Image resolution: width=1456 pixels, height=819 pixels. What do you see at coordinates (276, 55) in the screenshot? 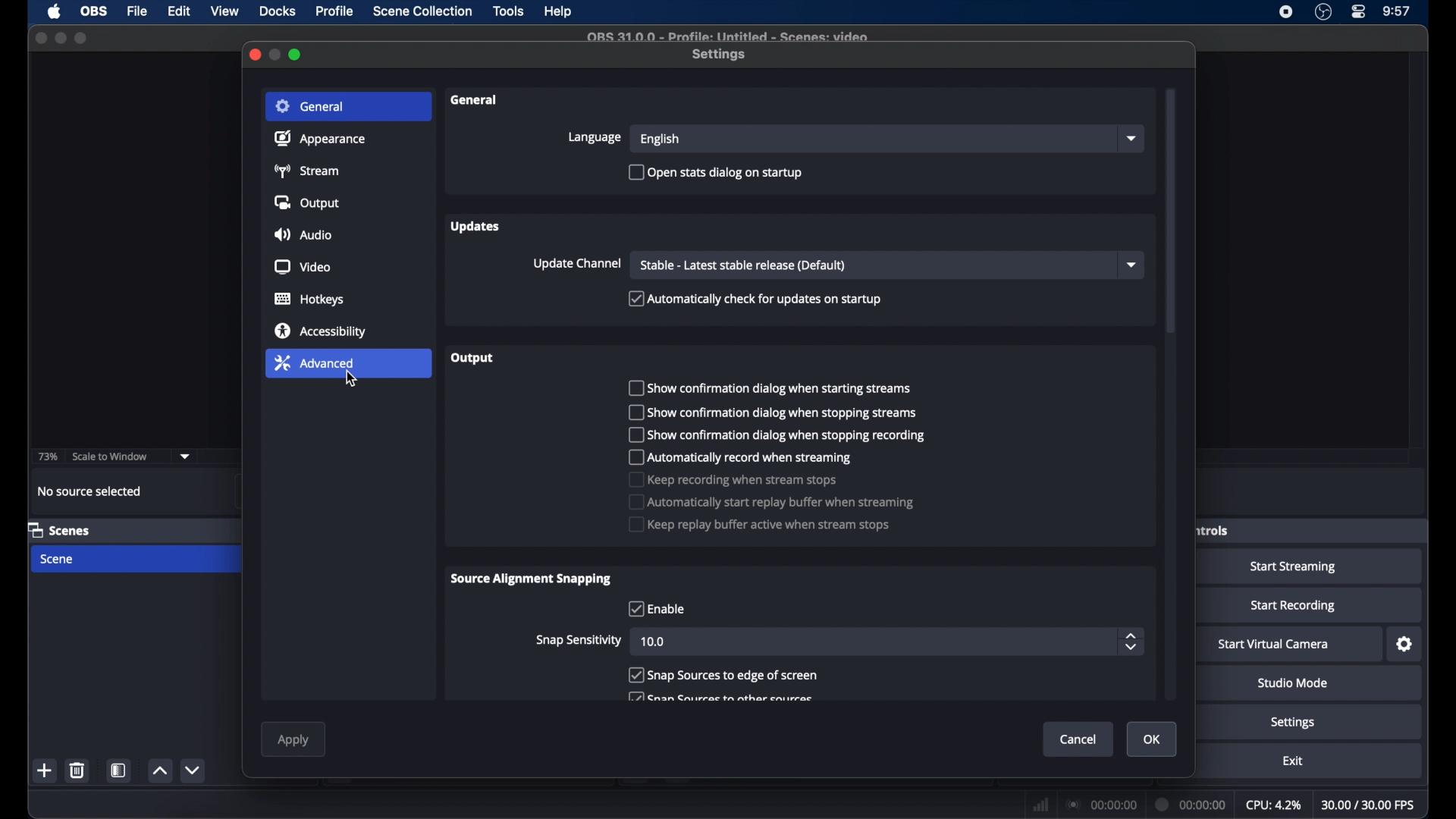
I see `minimize` at bounding box center [276, 55].